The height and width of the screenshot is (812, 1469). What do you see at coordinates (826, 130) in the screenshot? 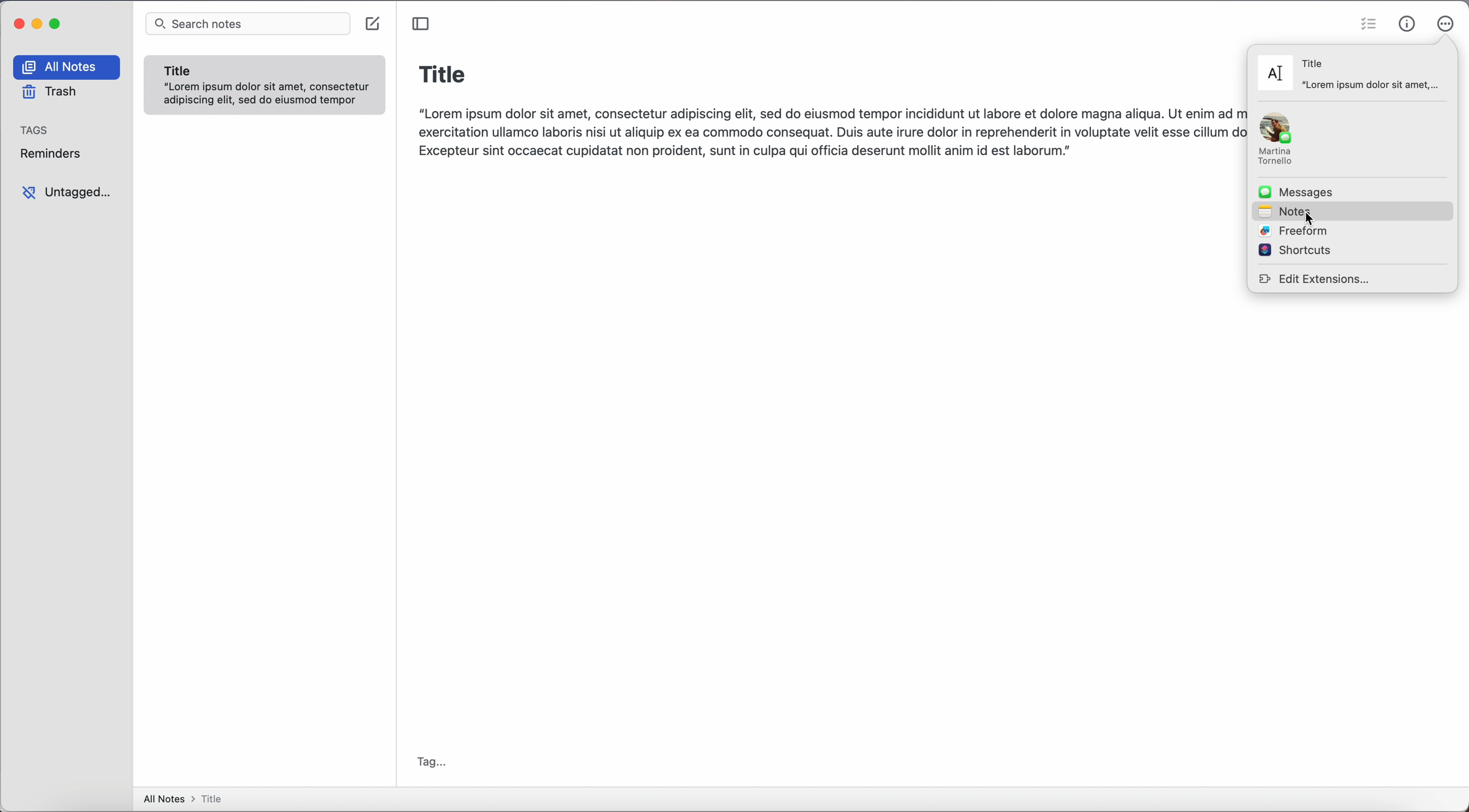
I see `body text` at bounding box center [826, 130].